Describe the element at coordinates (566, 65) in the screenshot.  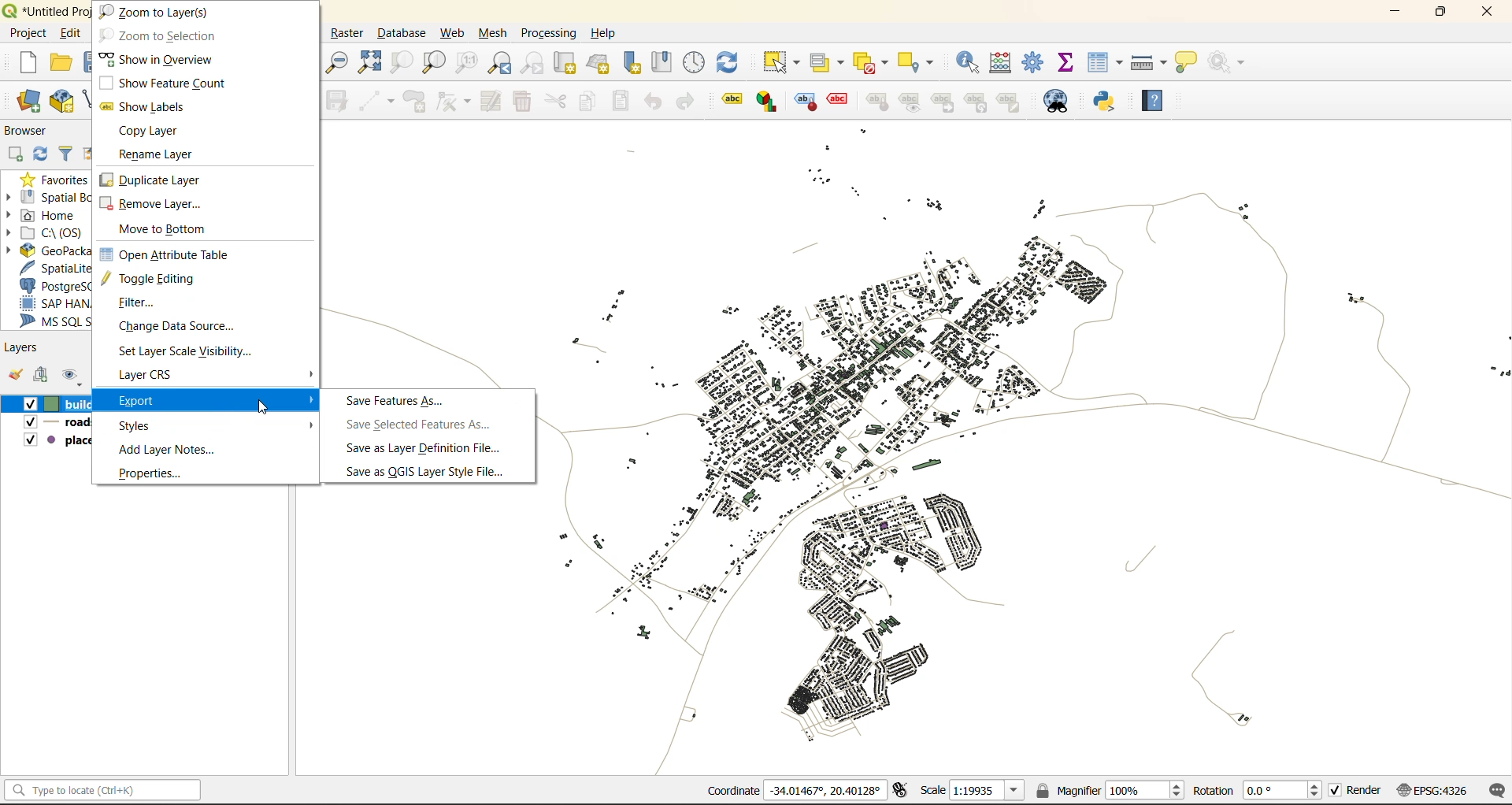
I see `new map view` at that location.